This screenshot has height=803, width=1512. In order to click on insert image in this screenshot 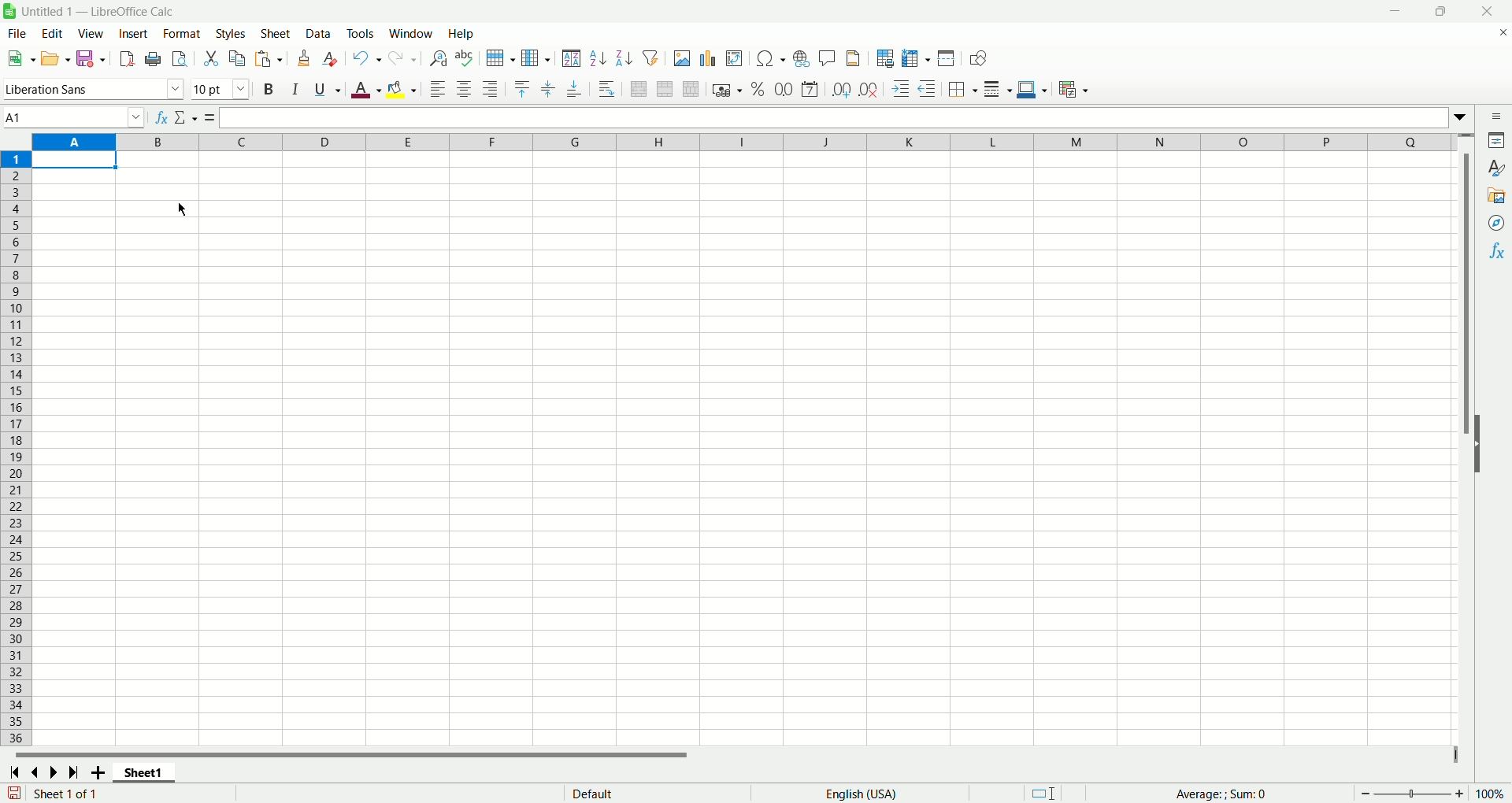, I will do `click(735, 60)`.